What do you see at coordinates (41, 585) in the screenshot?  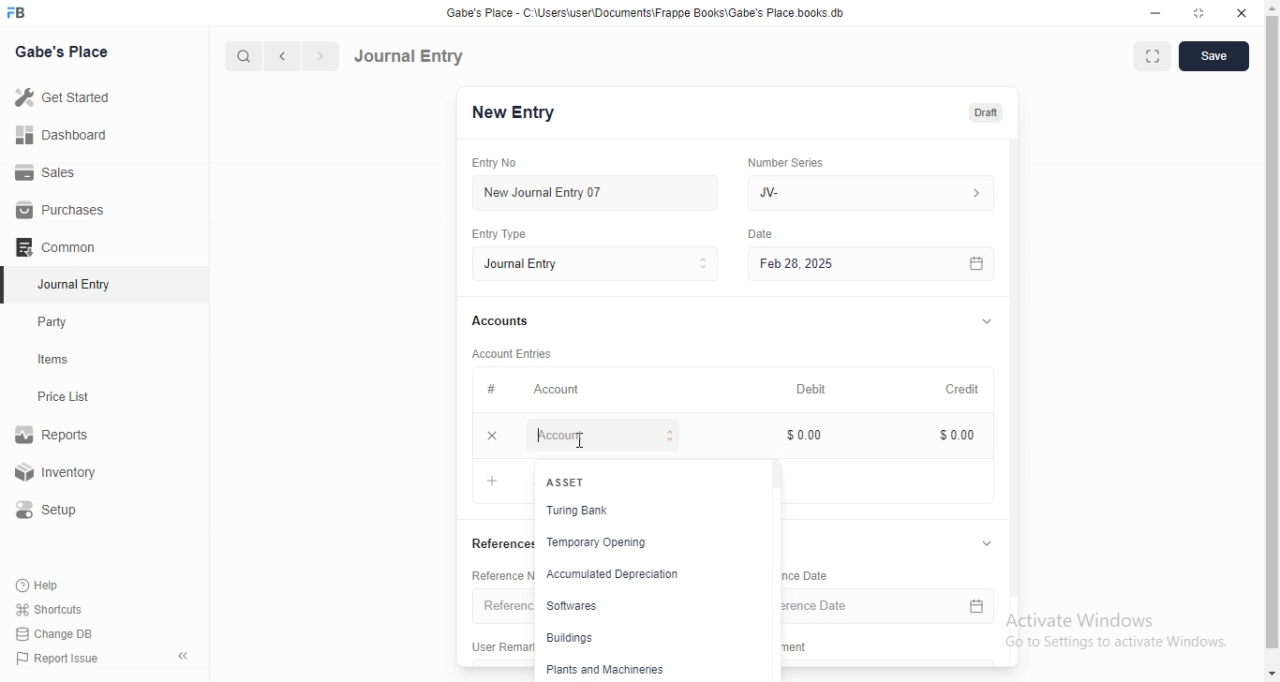 I see `Help` at bounding box center [41, 585].